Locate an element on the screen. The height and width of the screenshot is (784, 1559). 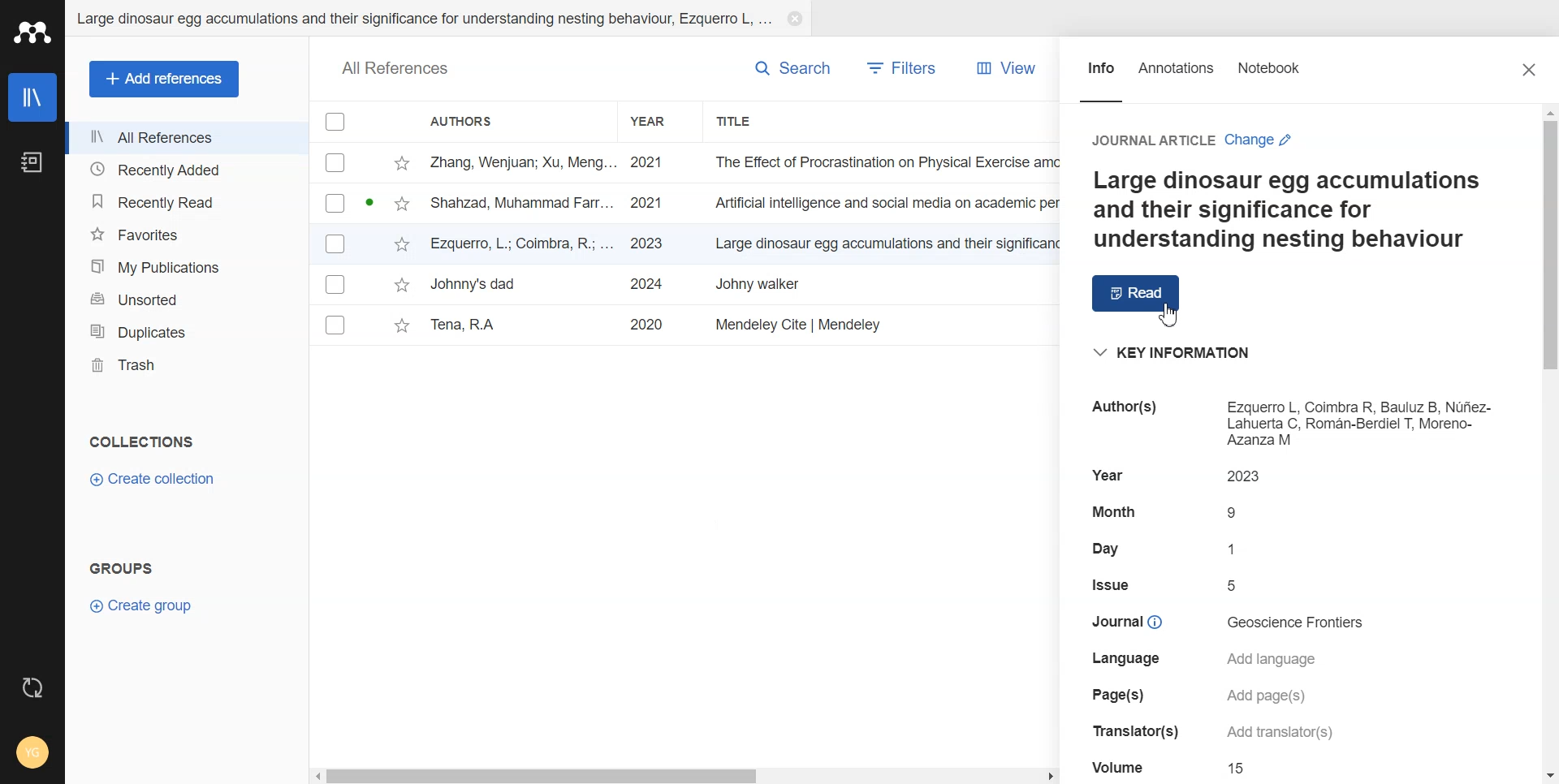
Filters is located at coordinates (900, 67).